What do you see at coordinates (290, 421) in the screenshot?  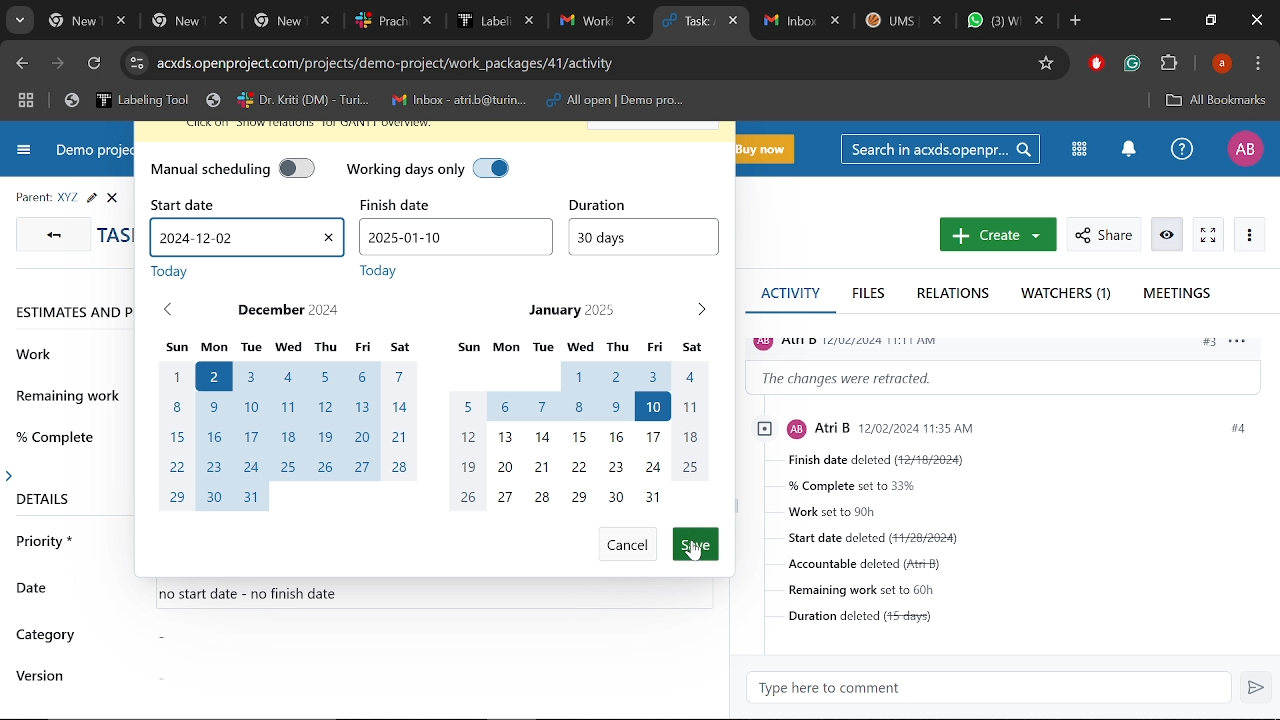 I see `Month of December` at bounding box center [290, 421].